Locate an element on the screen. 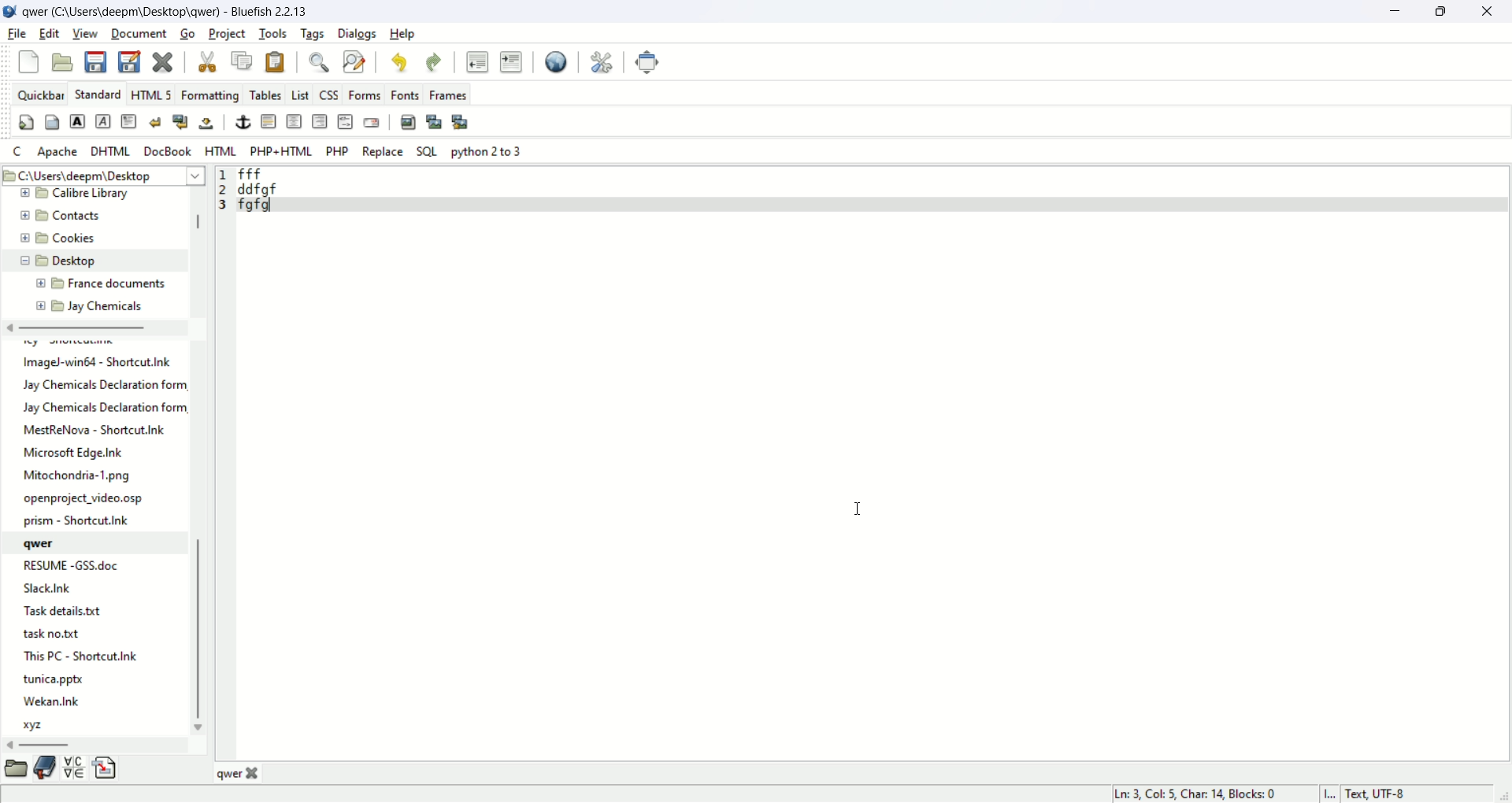 This screenshot has width=1512, height=803. qwer (C:\Users\deepm\Desktop\qwer)- Bluefish 2.2.13 is located at coordinates (169, 11).